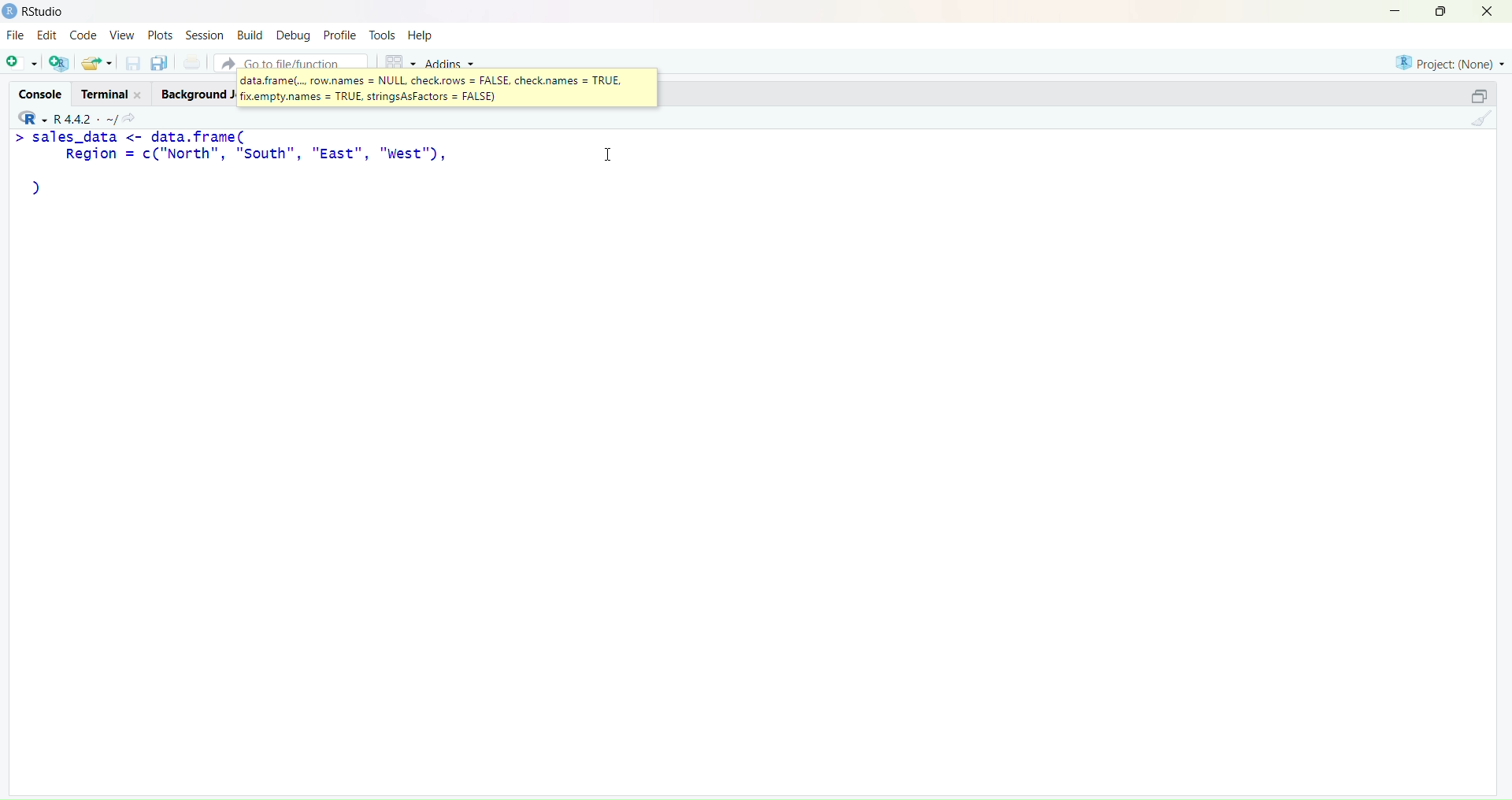 The image size is (1512, 800). I want to click on Plots, so click(160, 33).